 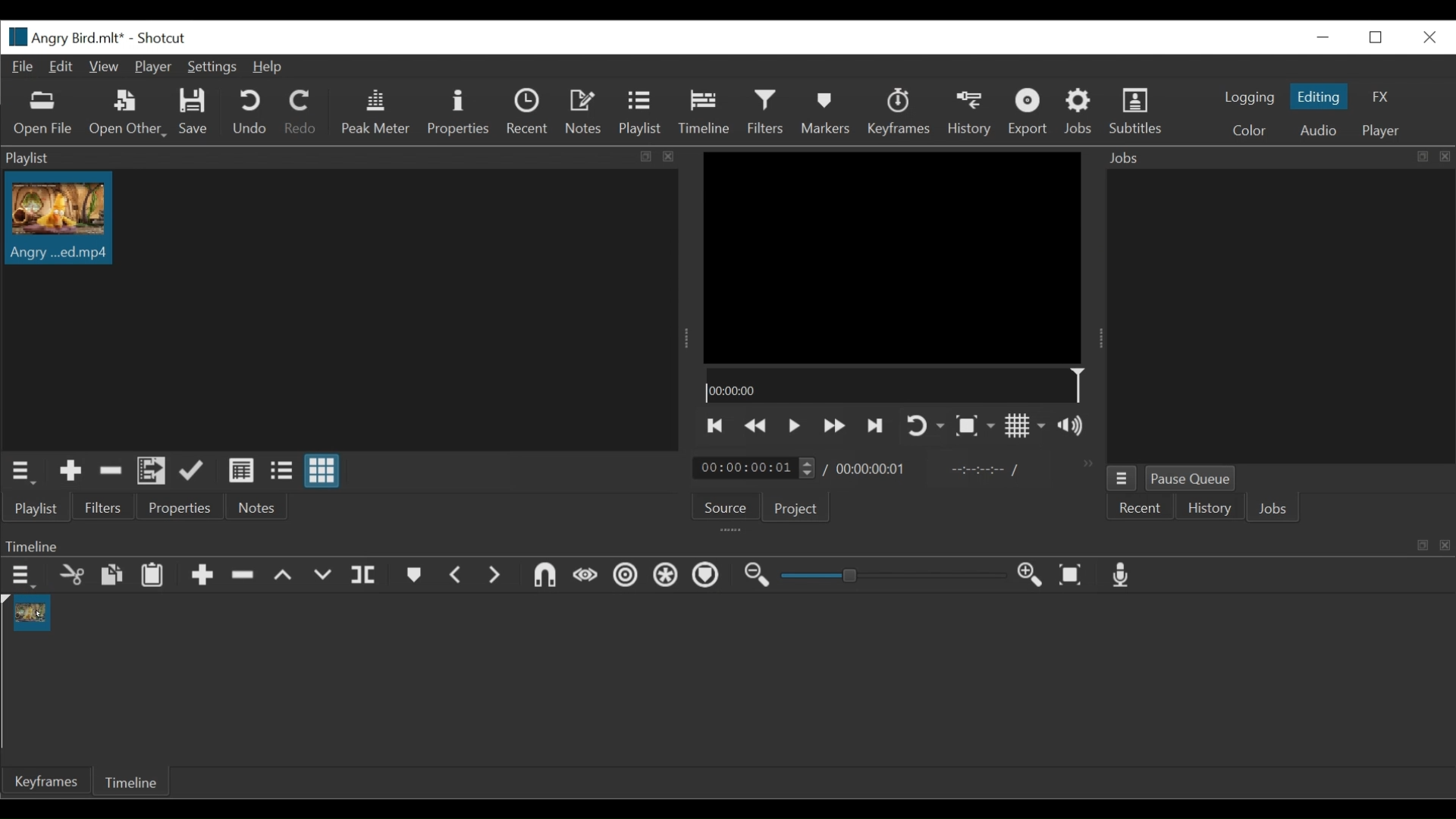 I want to click on Player, so click(x=152, y=67).